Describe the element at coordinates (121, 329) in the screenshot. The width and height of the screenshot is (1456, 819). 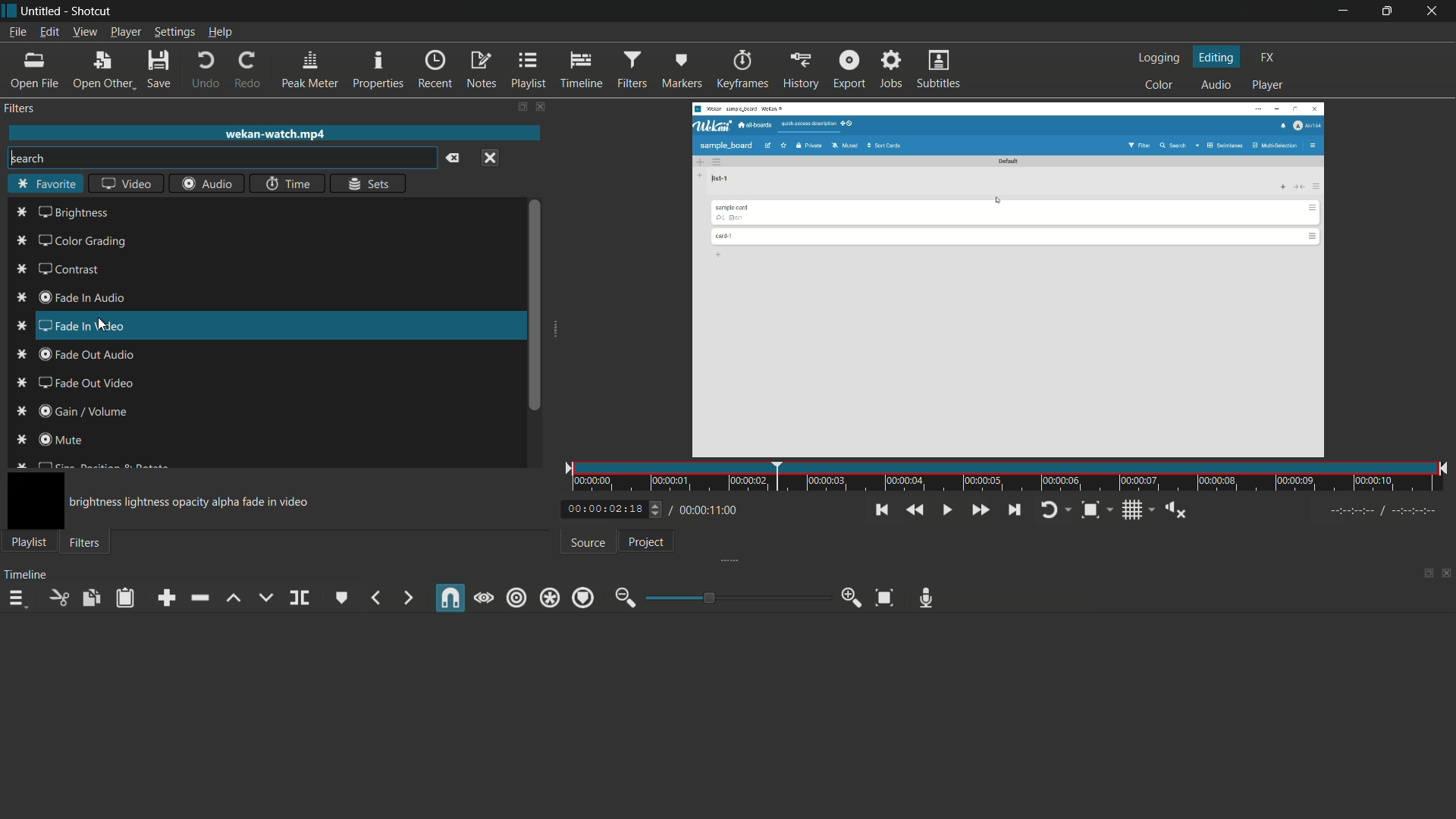
I see `cursor` at that location.